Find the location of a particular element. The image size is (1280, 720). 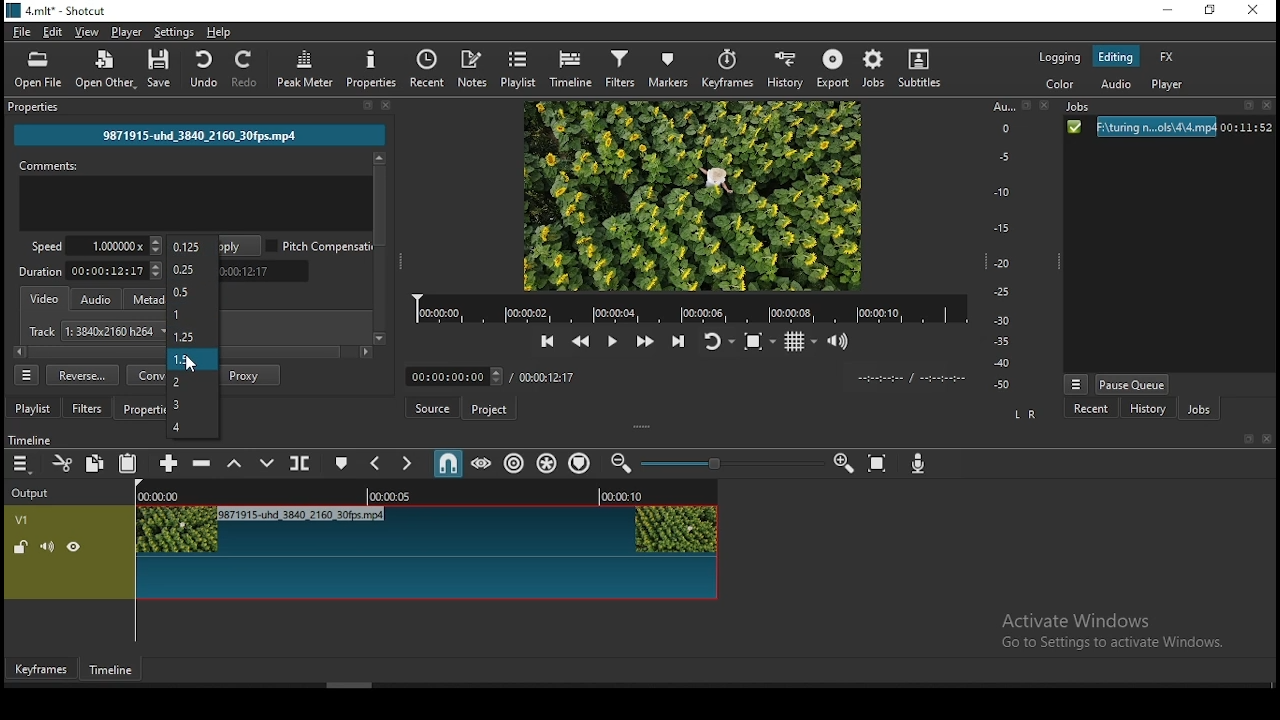

view is located at coordinates (84, 31).